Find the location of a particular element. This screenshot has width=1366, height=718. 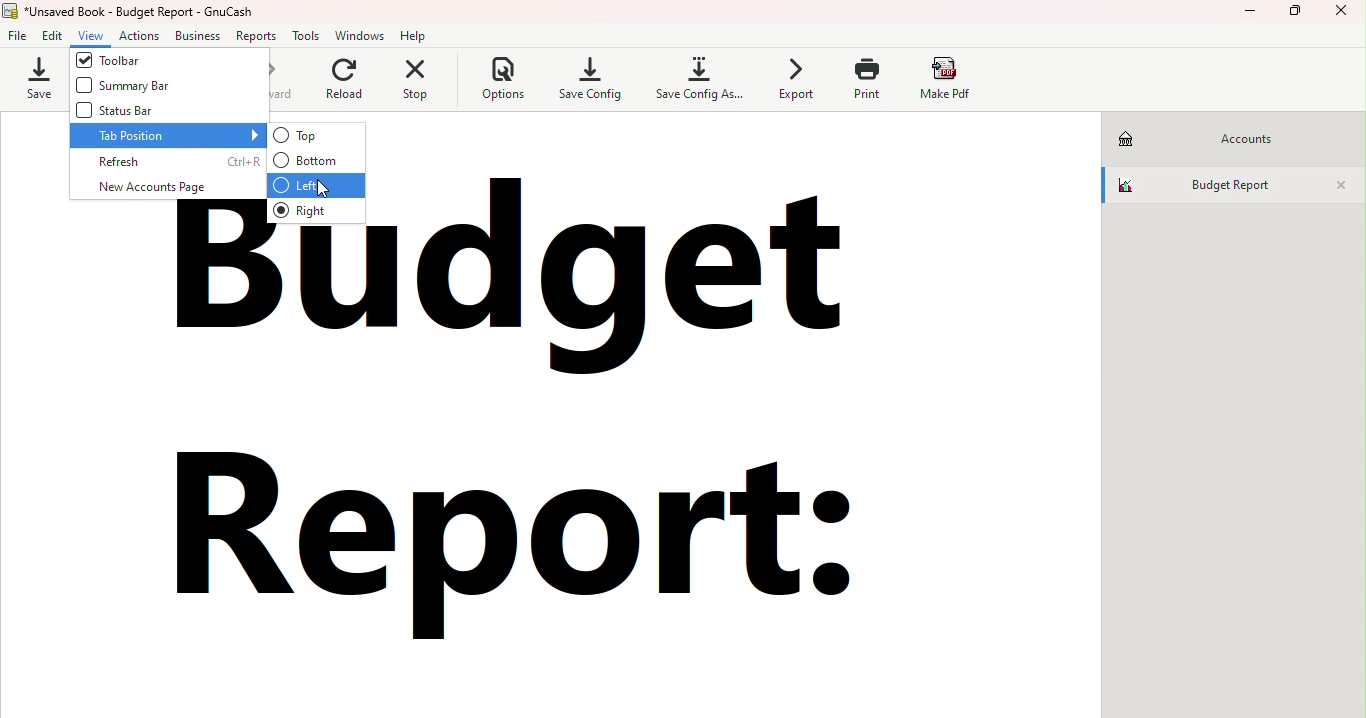

cursor is located at coordinates (322, 190).